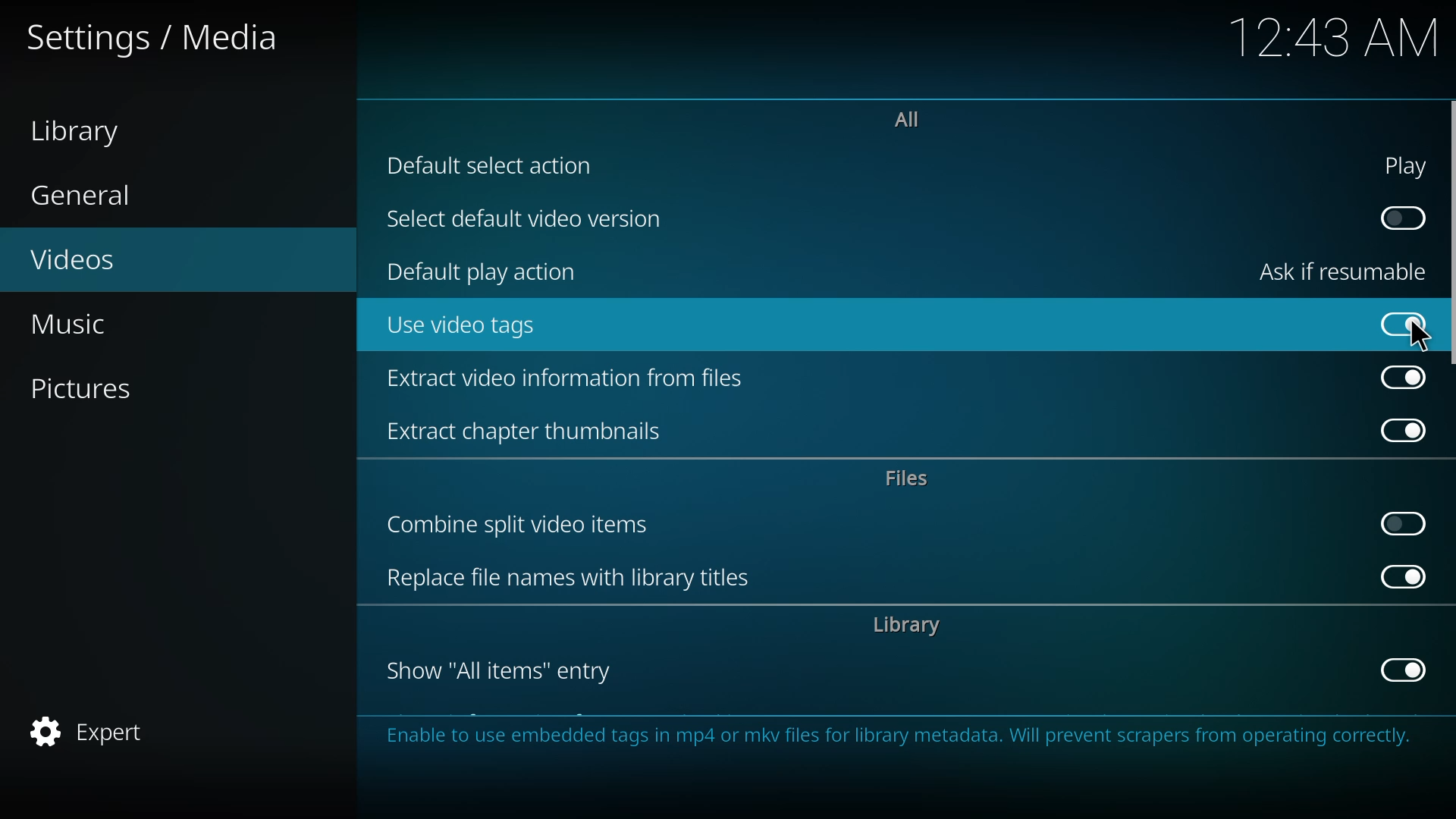 This screenshot has width=1456, height=819. Describe the element at coordinates (1404, 670) in the screenshot. I see `enabled` at that location.